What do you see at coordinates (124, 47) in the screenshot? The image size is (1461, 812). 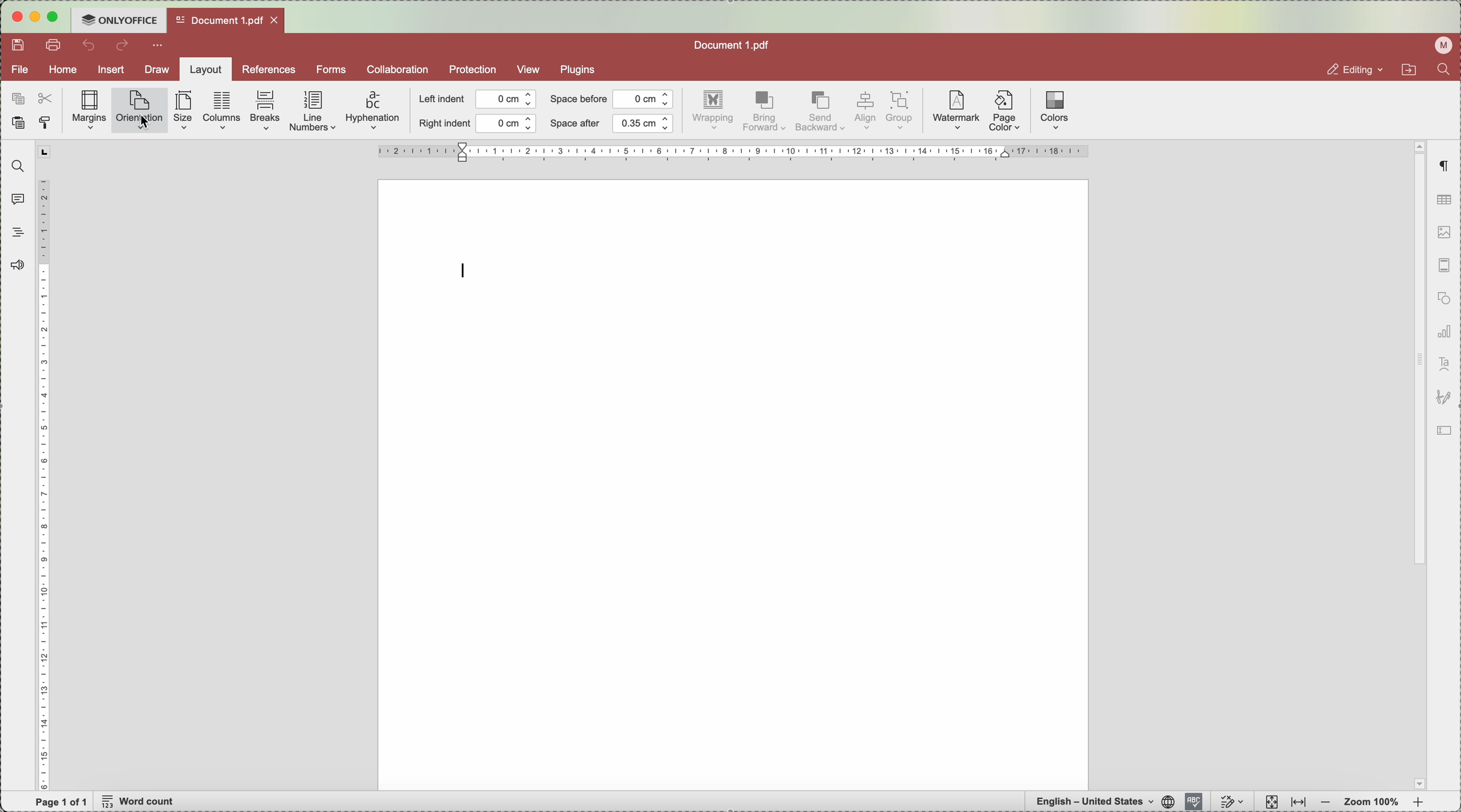 I see `redo` at bounding box center [124, 47].